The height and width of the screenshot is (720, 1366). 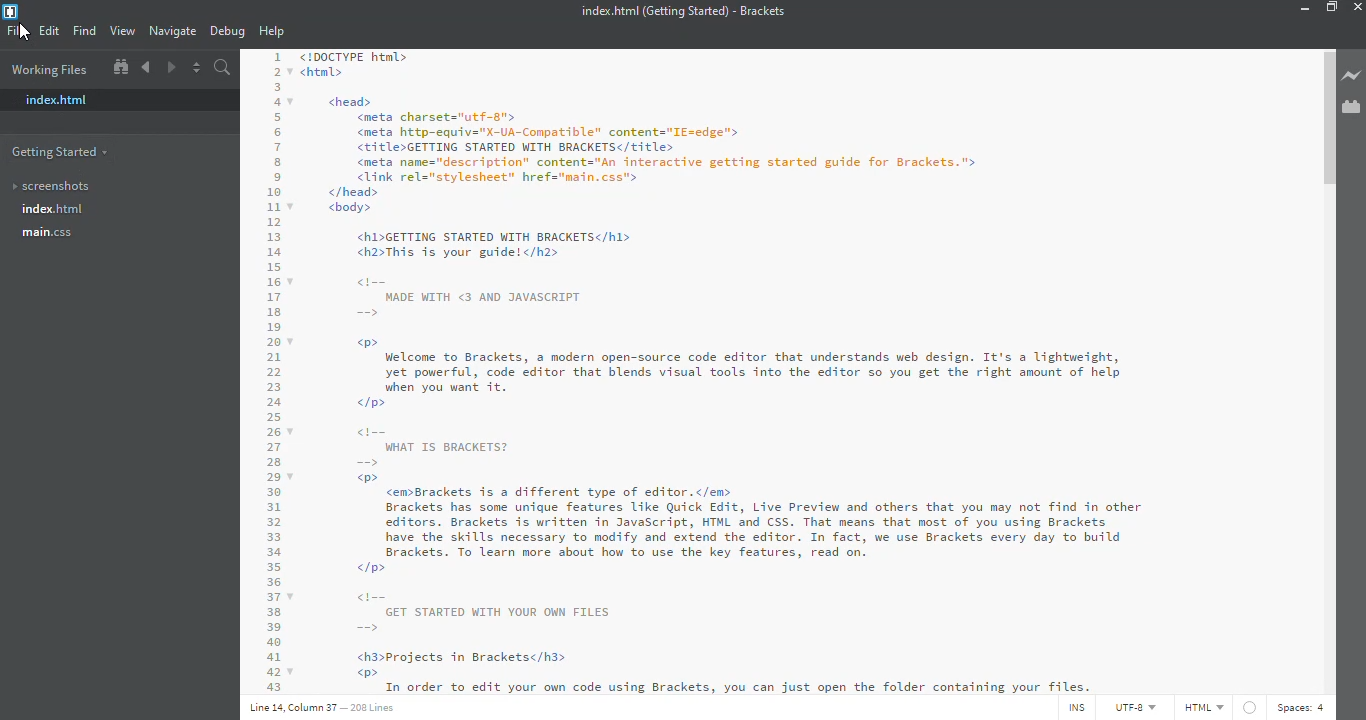 What do you see at coordinates (1303, 10) in the screenshot?
I see `minimize` at bounding box center [1303, 10].